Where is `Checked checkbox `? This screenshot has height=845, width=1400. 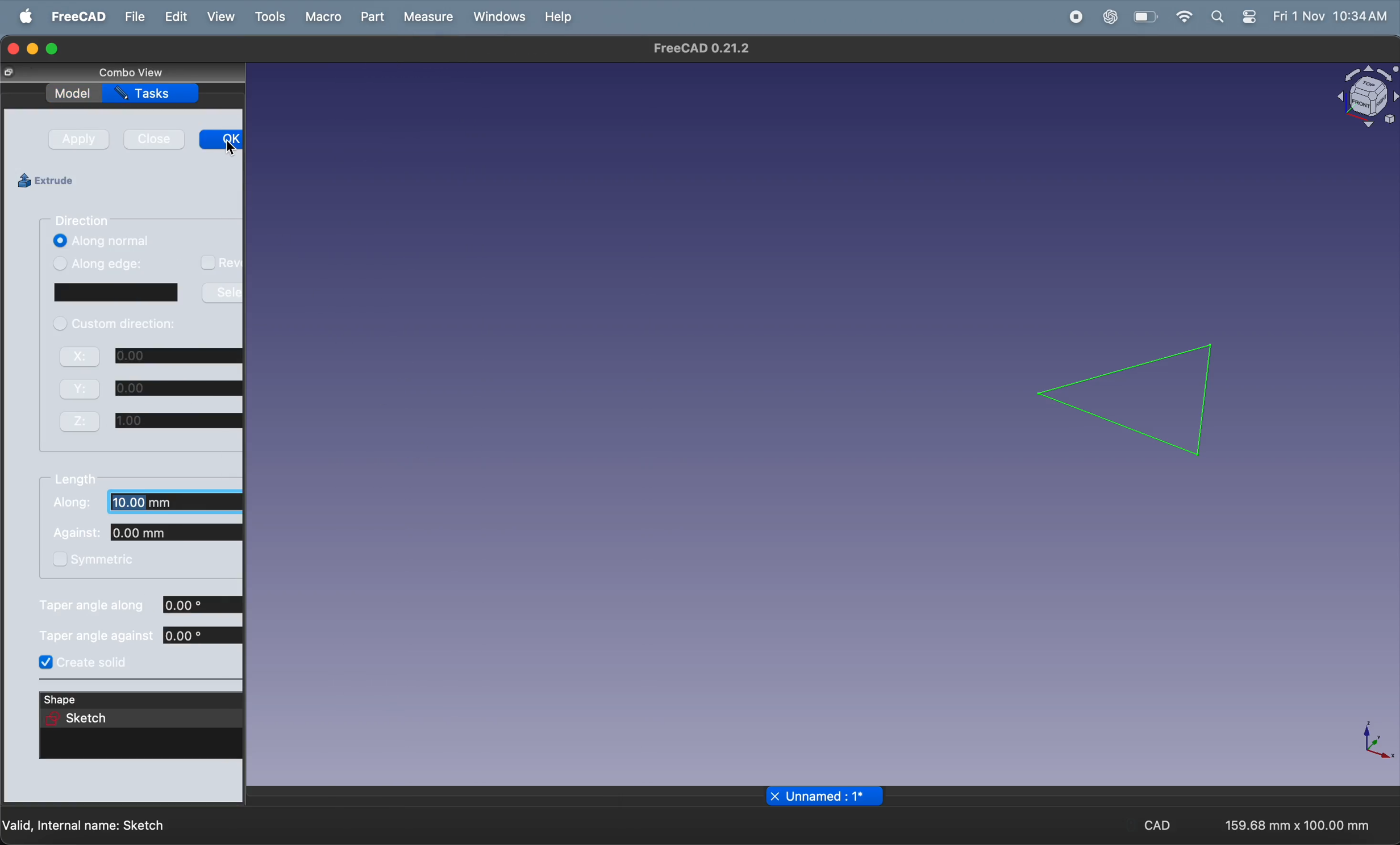 Checked checkbox  is located at coordinates (61, 240).